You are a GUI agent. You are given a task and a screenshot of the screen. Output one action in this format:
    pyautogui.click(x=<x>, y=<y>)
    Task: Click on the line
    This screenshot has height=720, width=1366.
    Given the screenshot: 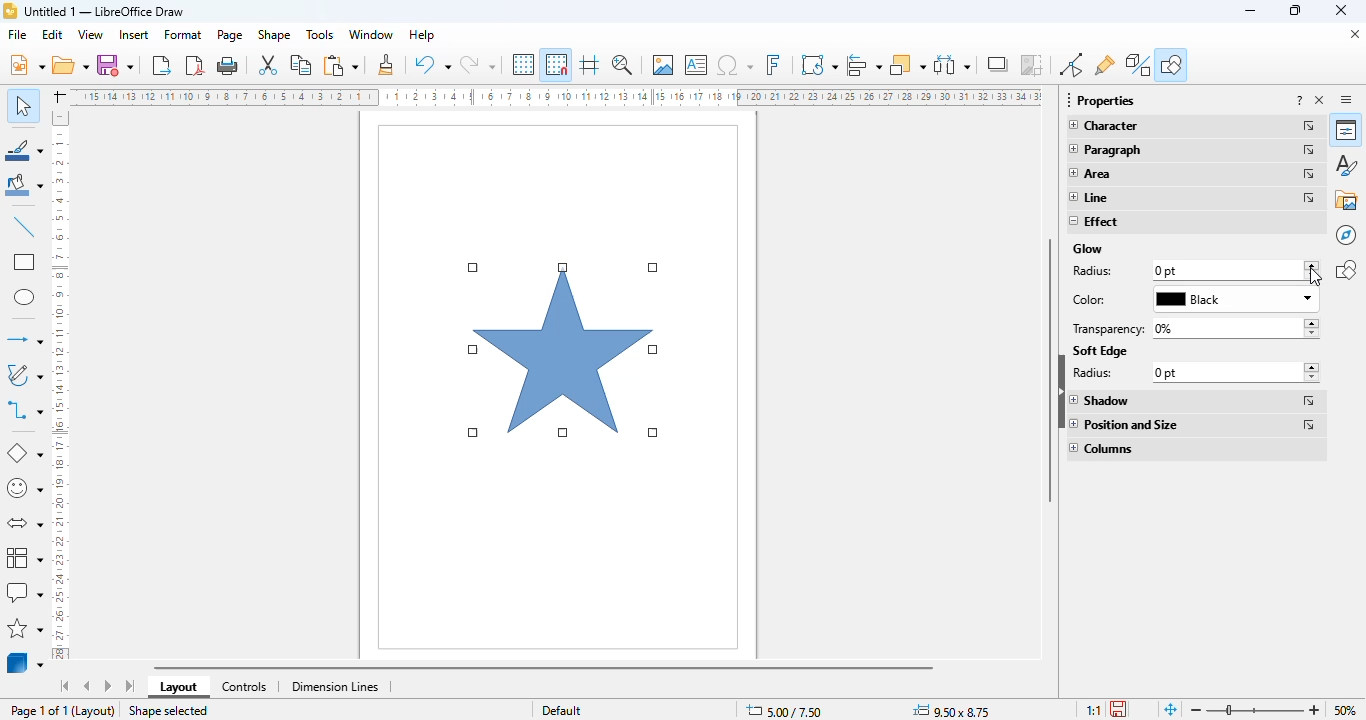 What is the action you would take?
    pyautogui.click(x=1087, y=196)
    